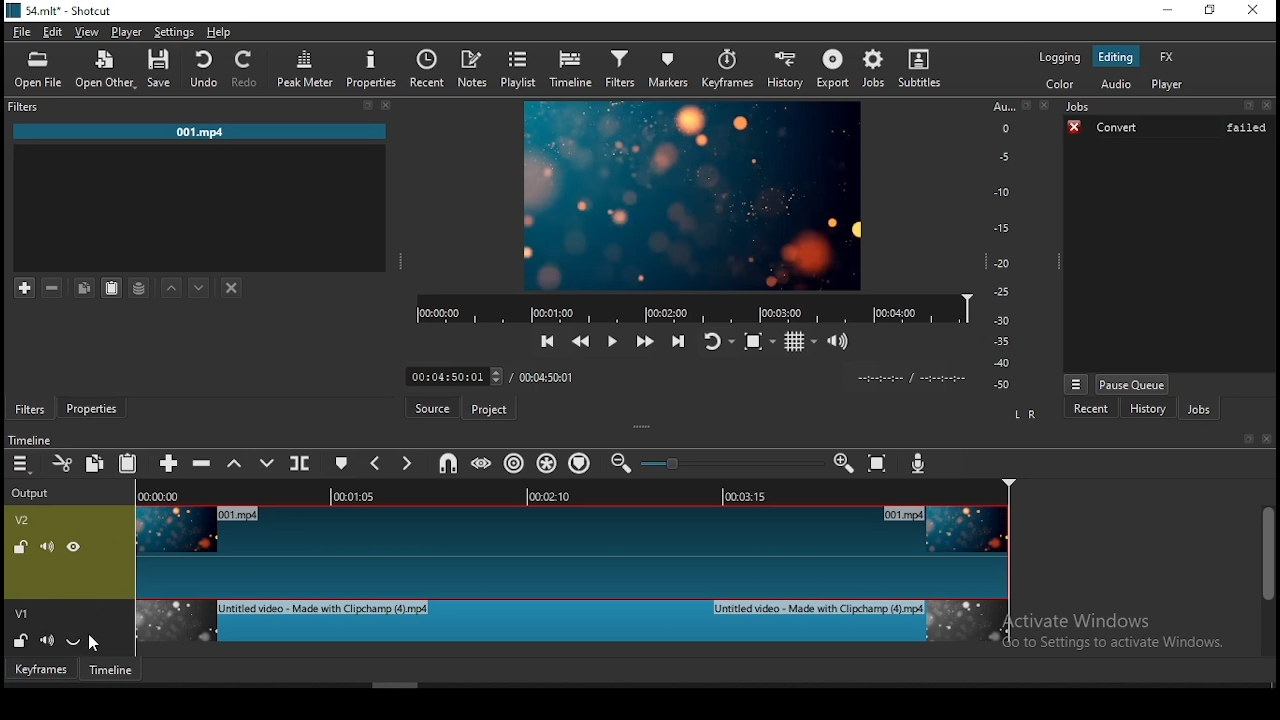 The height and width of the screenshot is (720, 1280). What do you see at coordinates (53, 32) in the screenshot?
I see `edit` at bounding box center [53, 32].